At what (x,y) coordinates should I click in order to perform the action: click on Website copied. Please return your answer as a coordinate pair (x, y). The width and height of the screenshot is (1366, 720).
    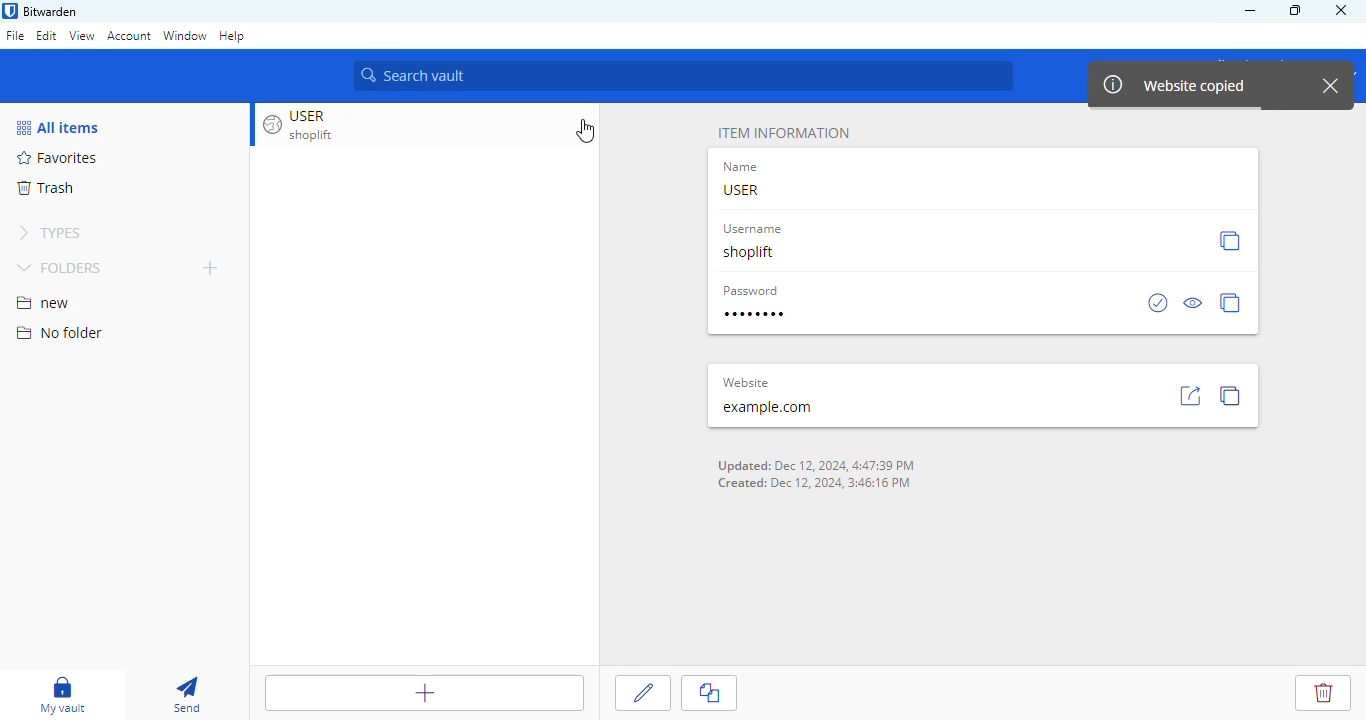
    Looking at the image, I should click on (1168, 83).